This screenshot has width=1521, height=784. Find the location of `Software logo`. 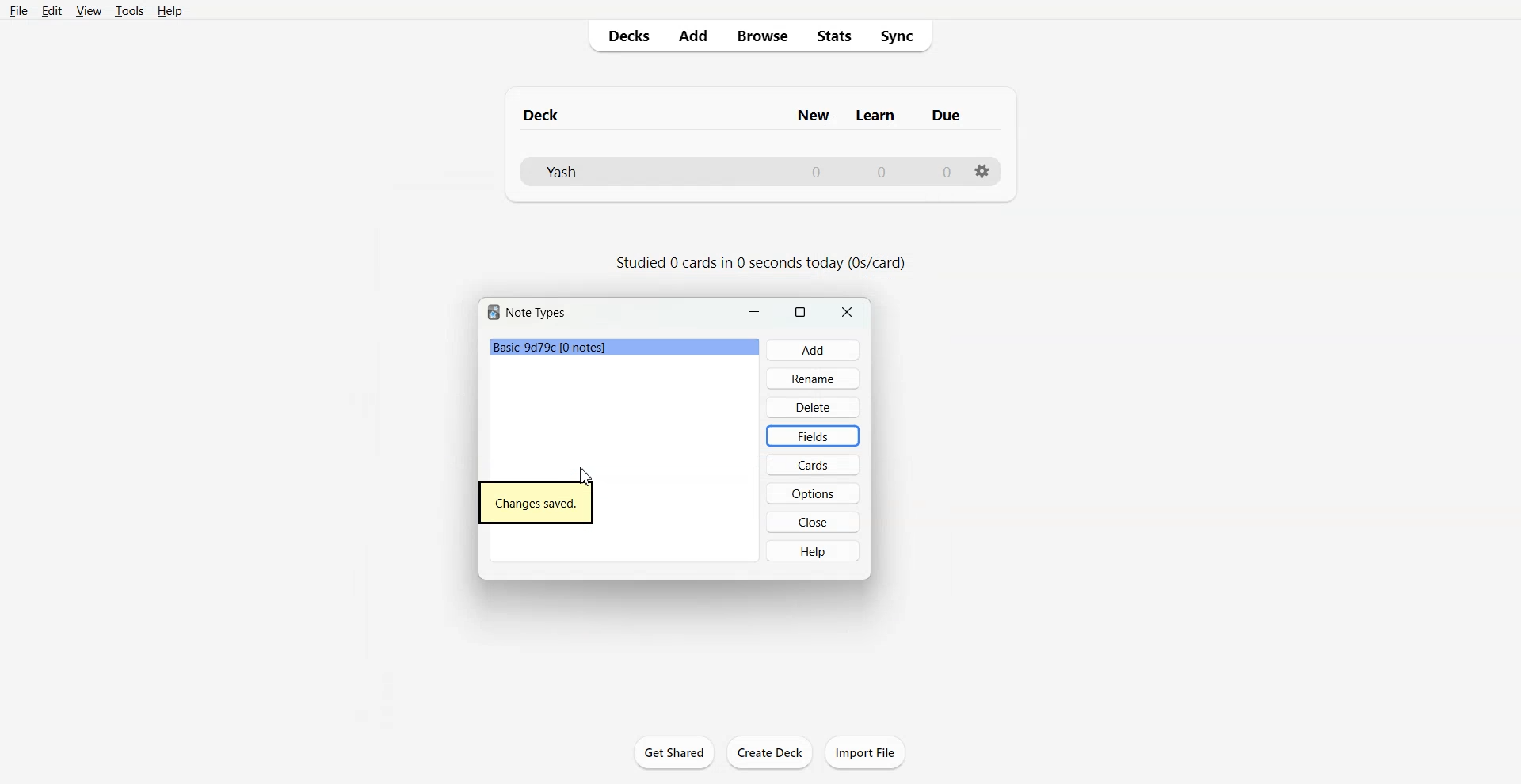

Software logo is located at coordinates (493, 312).